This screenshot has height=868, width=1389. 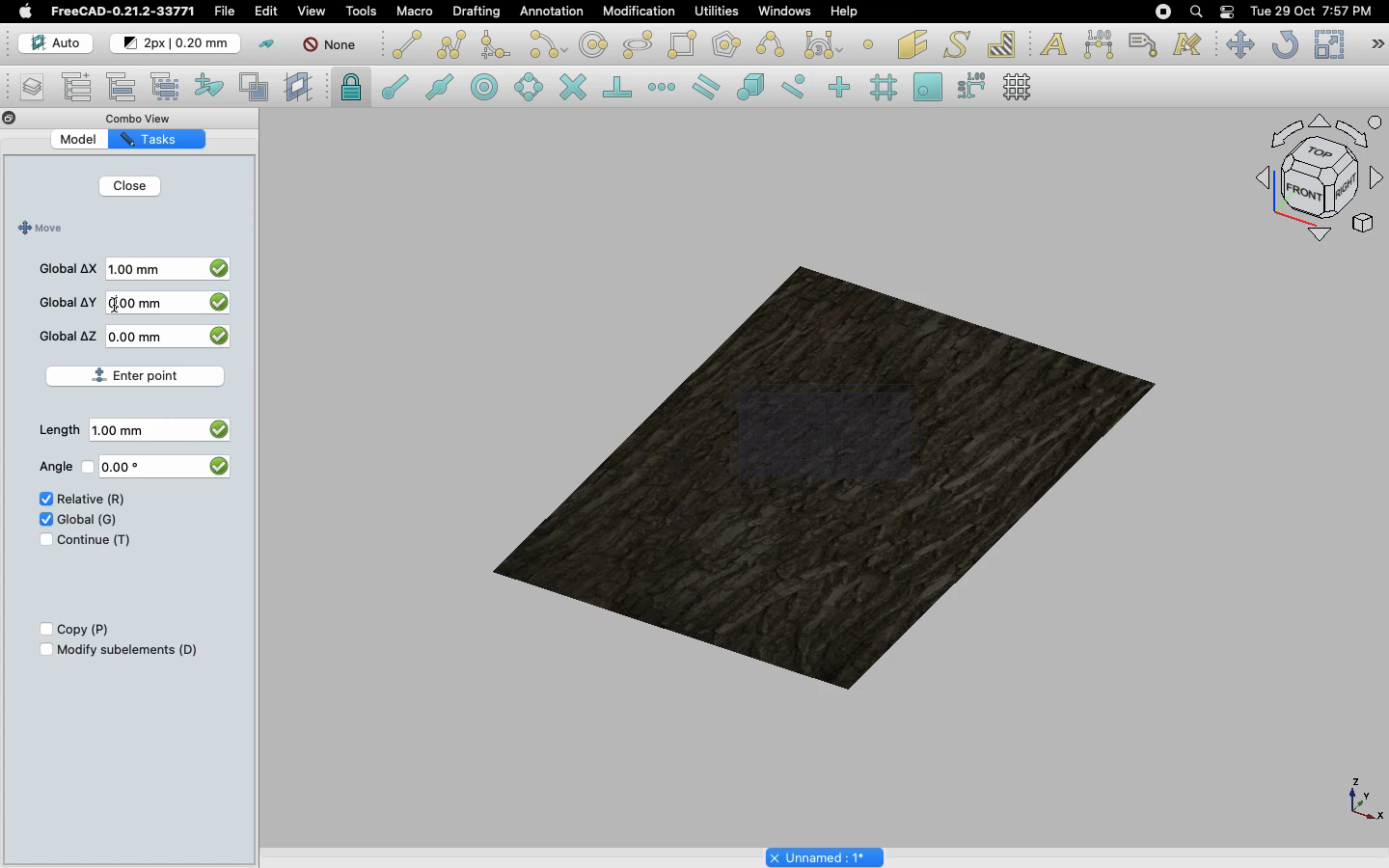 I want to click on Utilities, so click(x=717, y=12).